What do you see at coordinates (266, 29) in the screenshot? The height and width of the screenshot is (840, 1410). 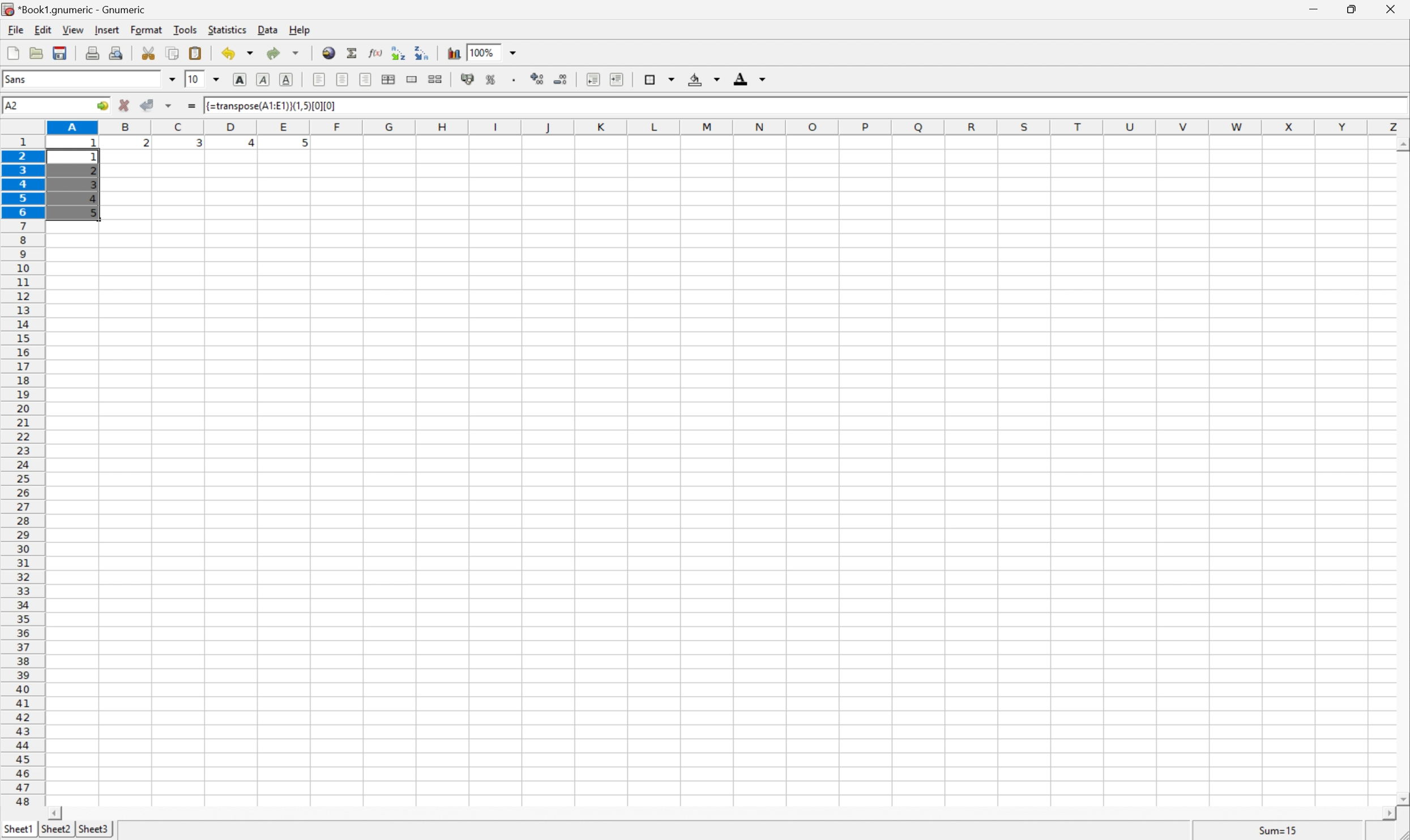 I see `data` at bounding box center [266, 29].